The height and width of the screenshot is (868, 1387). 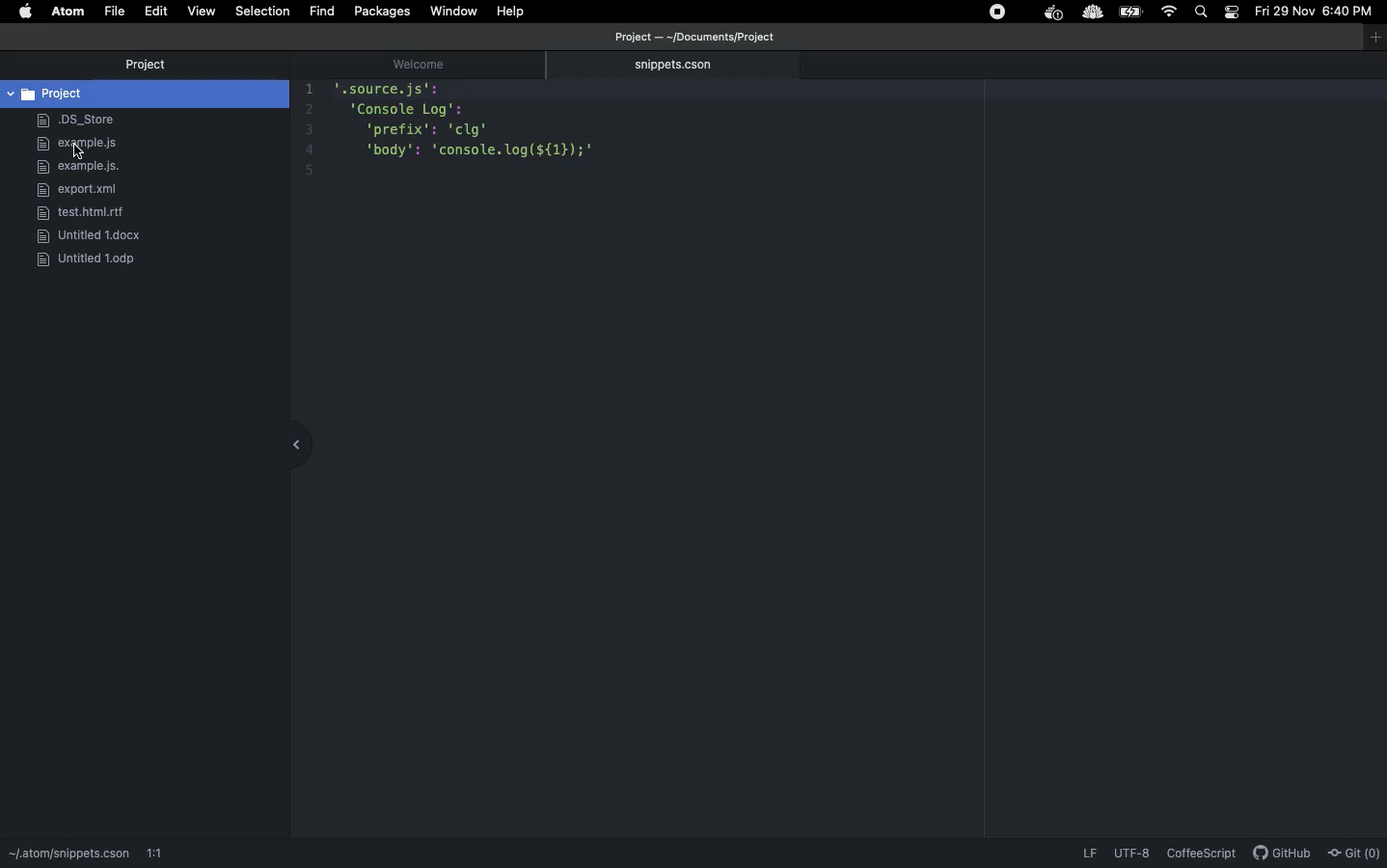 I want to click on Edit, so click(x=156, y=11).